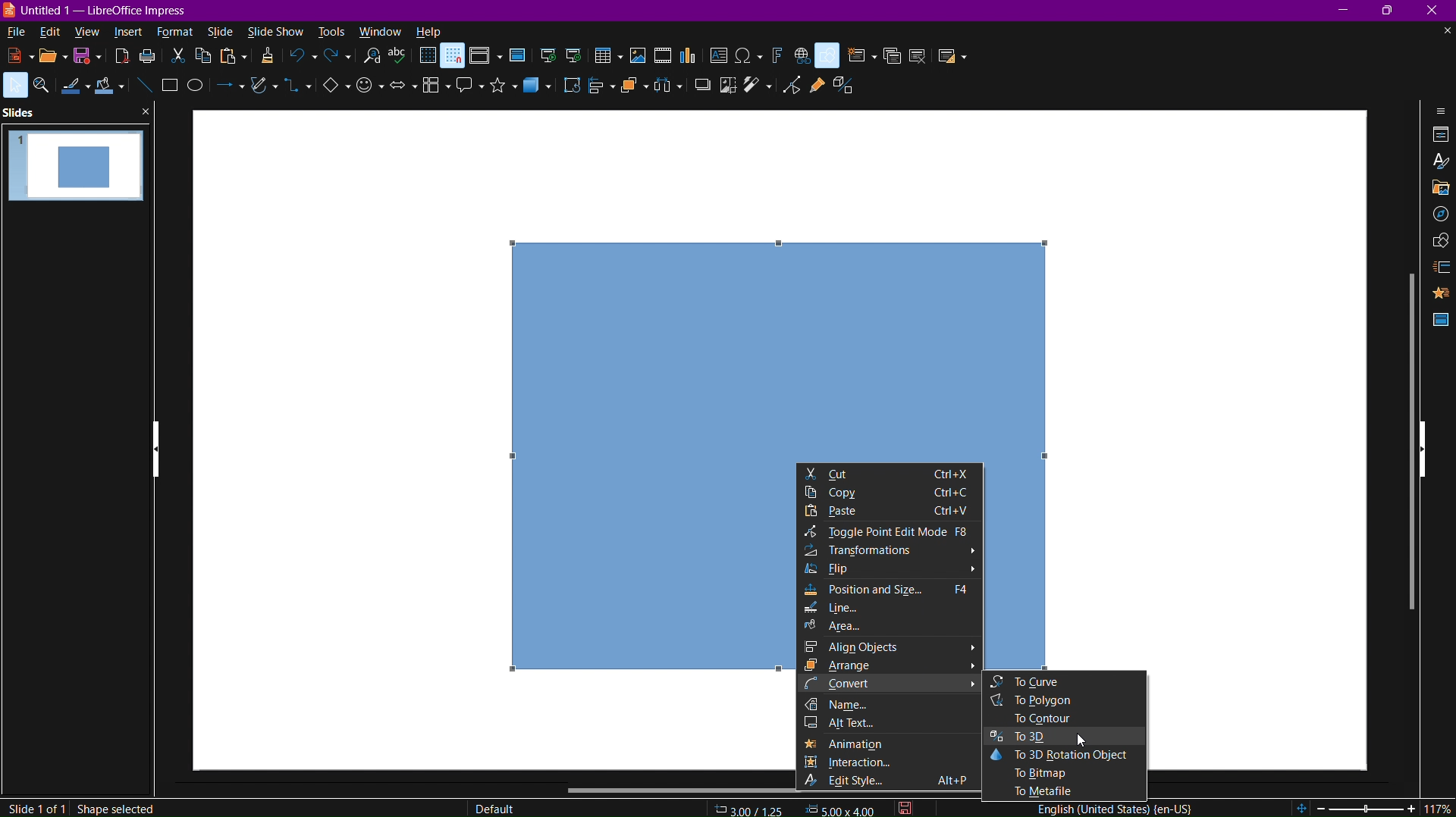  What do you see at coordinates (817, 85) in the screenshot?
I see `Show Gluepoint Function` at bounding box center [817, 85].